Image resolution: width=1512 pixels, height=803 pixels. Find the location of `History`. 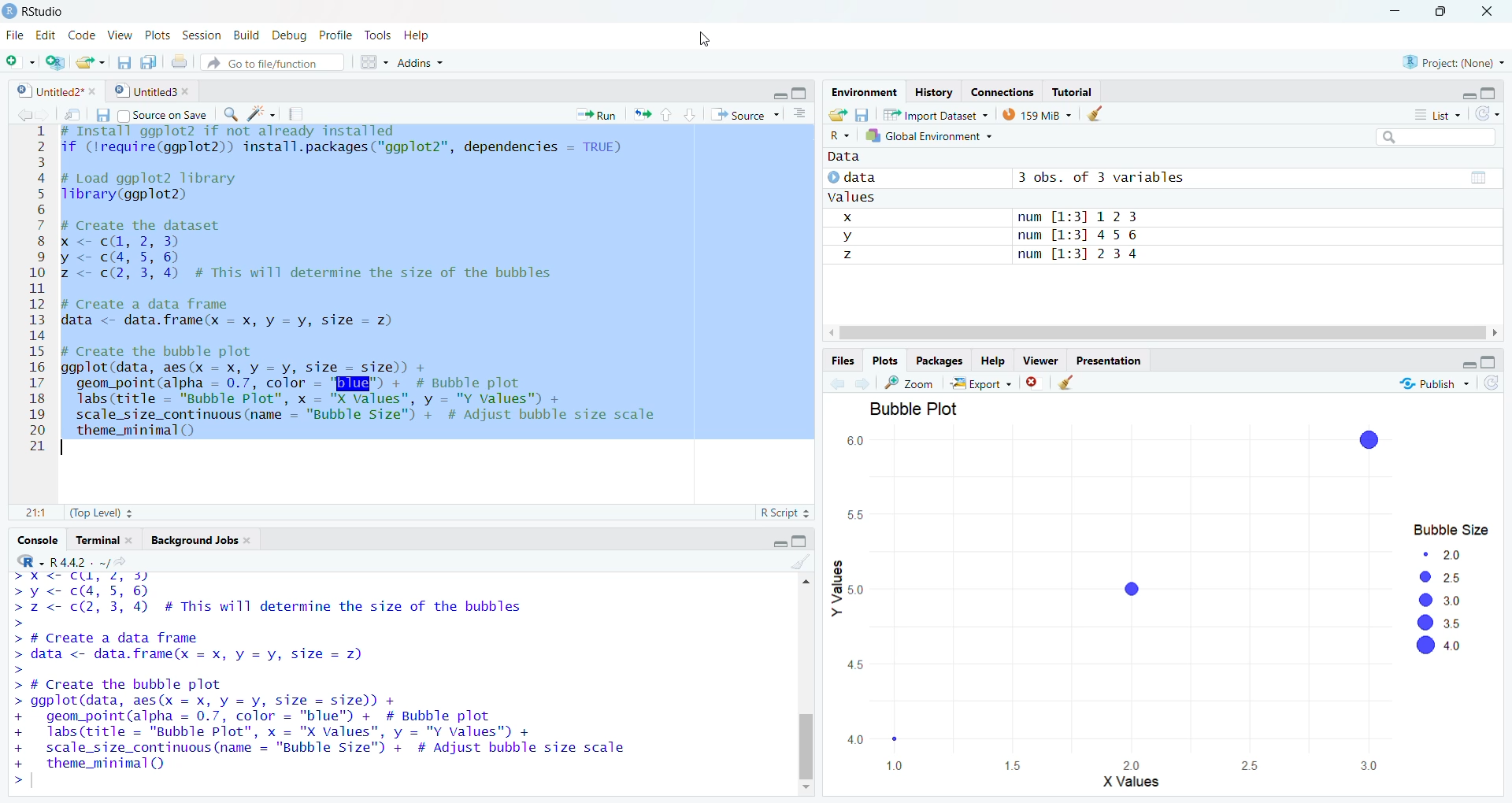

History is located at coordinates (932, 90).